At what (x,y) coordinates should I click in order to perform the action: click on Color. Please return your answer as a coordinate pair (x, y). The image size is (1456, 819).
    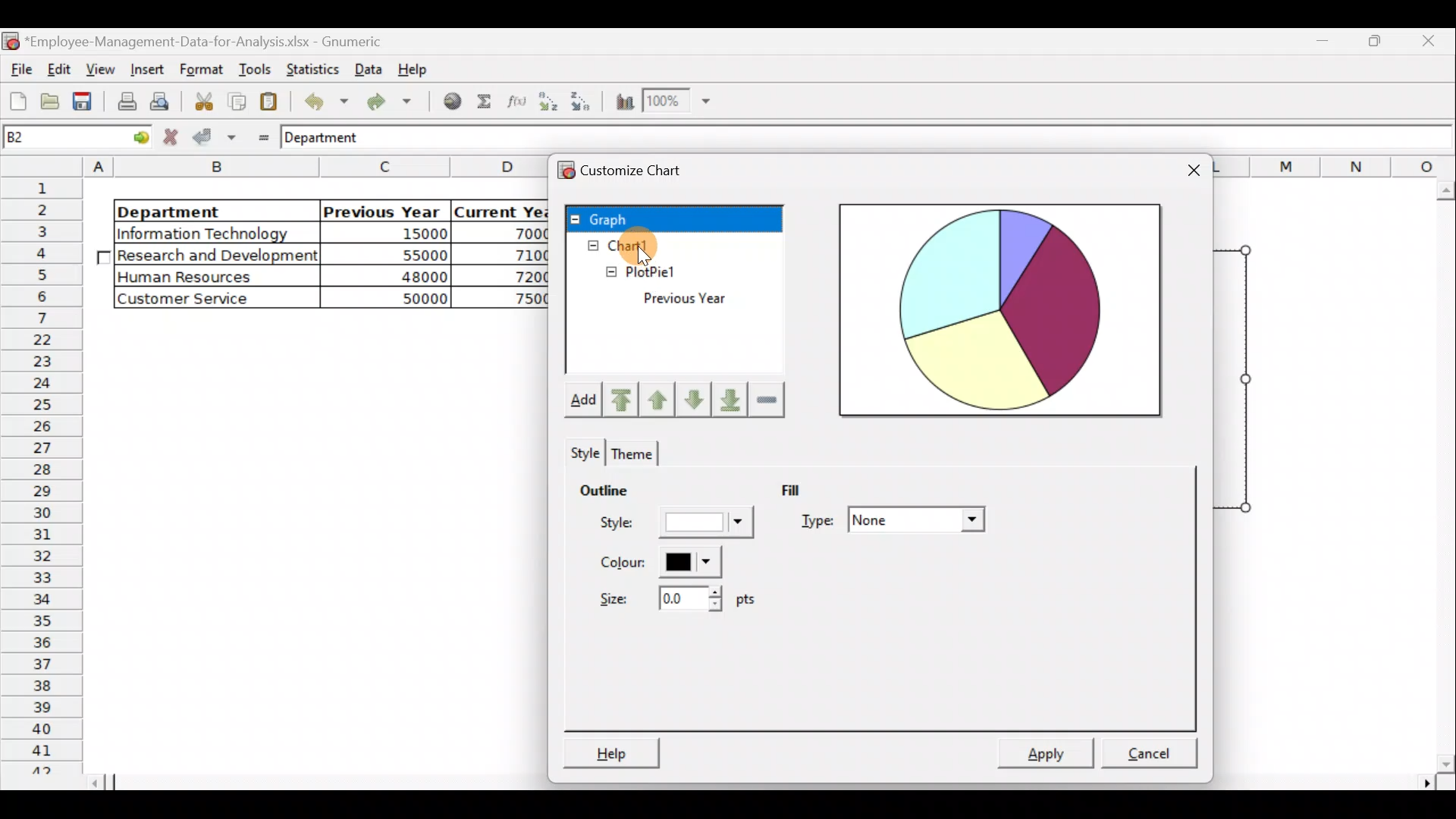
    Looking at the image, I should click on (670, 565).